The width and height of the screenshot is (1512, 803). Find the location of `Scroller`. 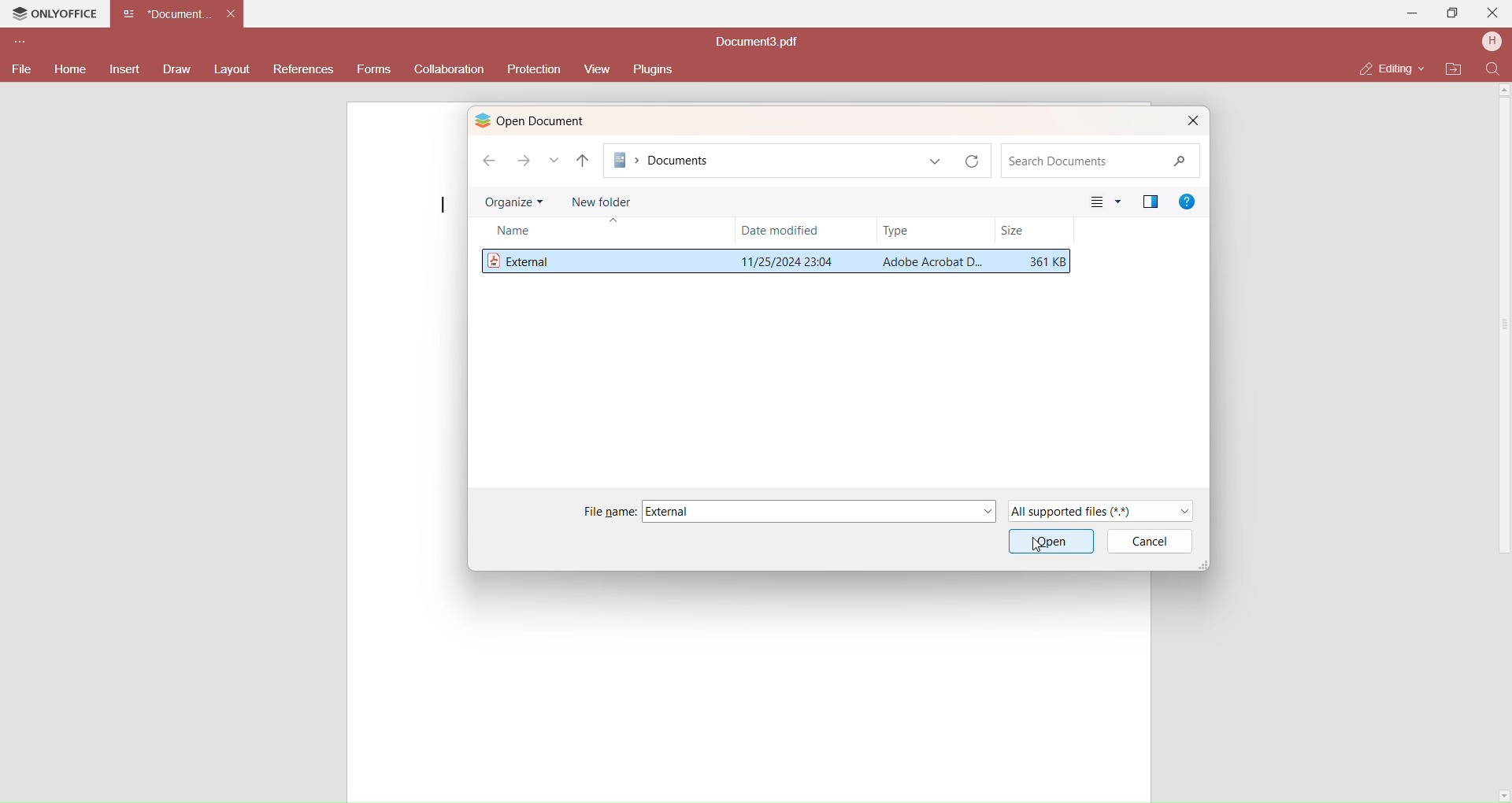

Scroller is located at coordinates (1509, 441).